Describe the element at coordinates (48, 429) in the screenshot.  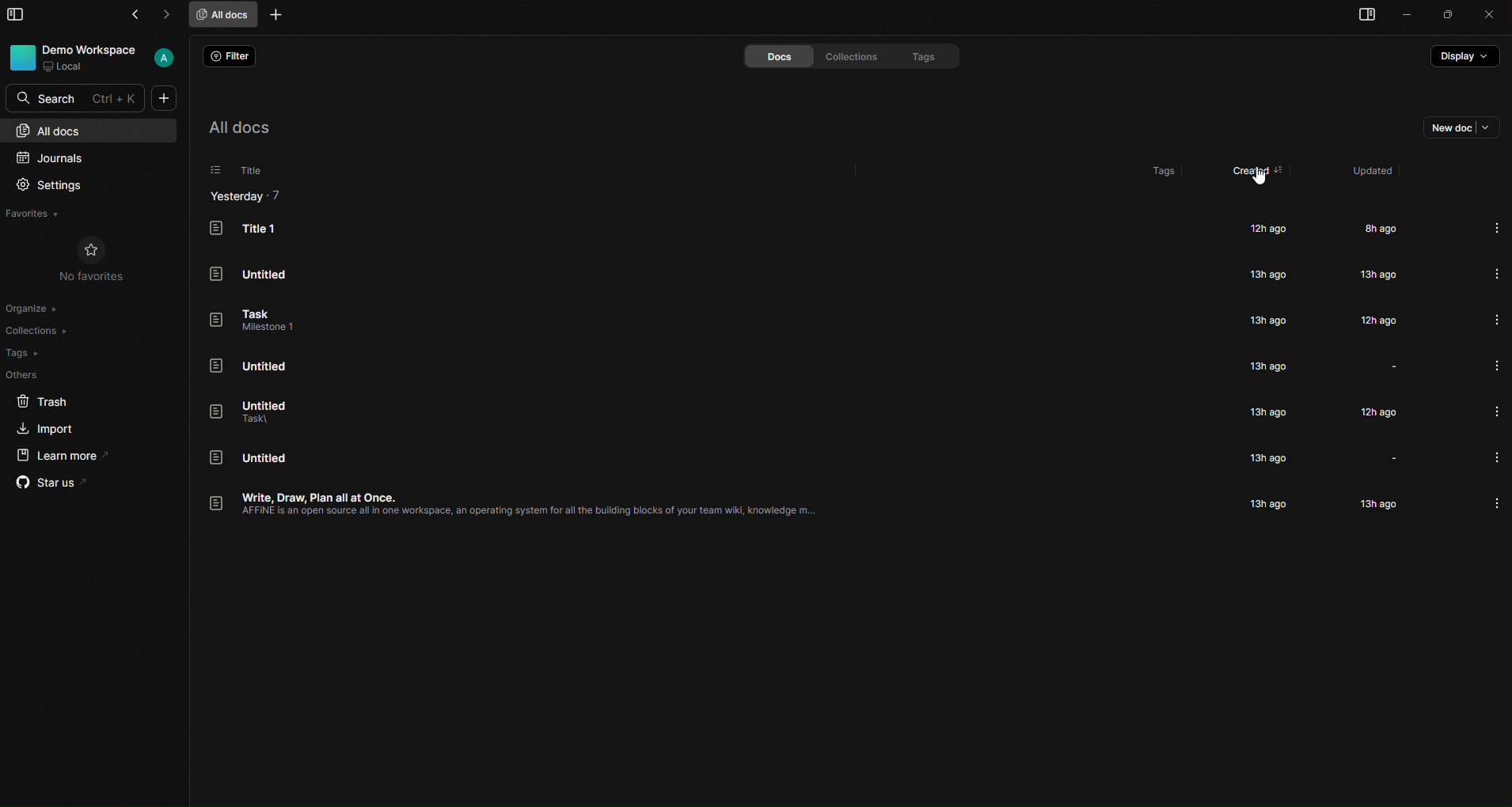
I see `import` at that location.